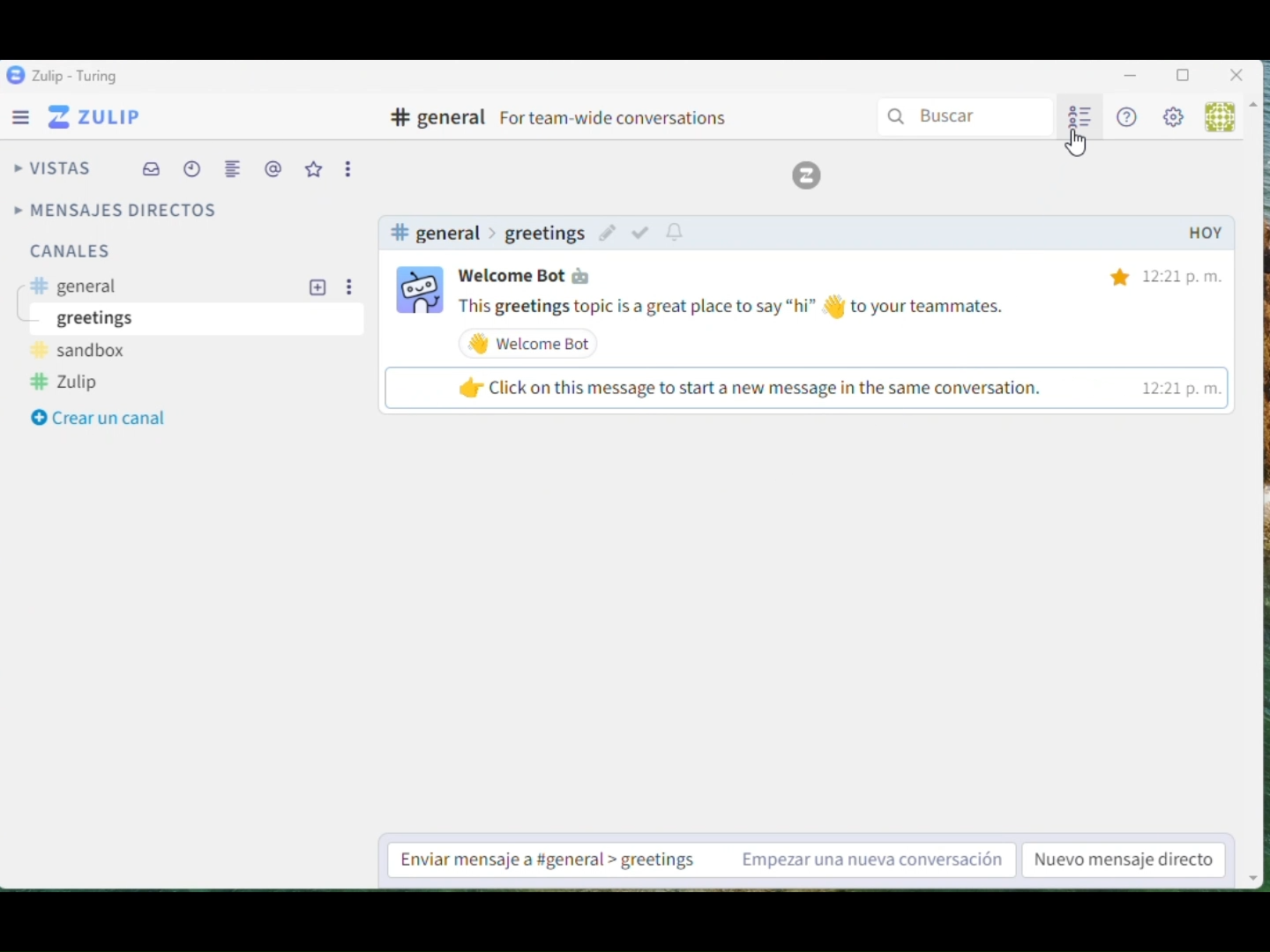 The height and width of the screenshot is (952, 1270). I want to click on Send message to a channel, so click(696, 859).